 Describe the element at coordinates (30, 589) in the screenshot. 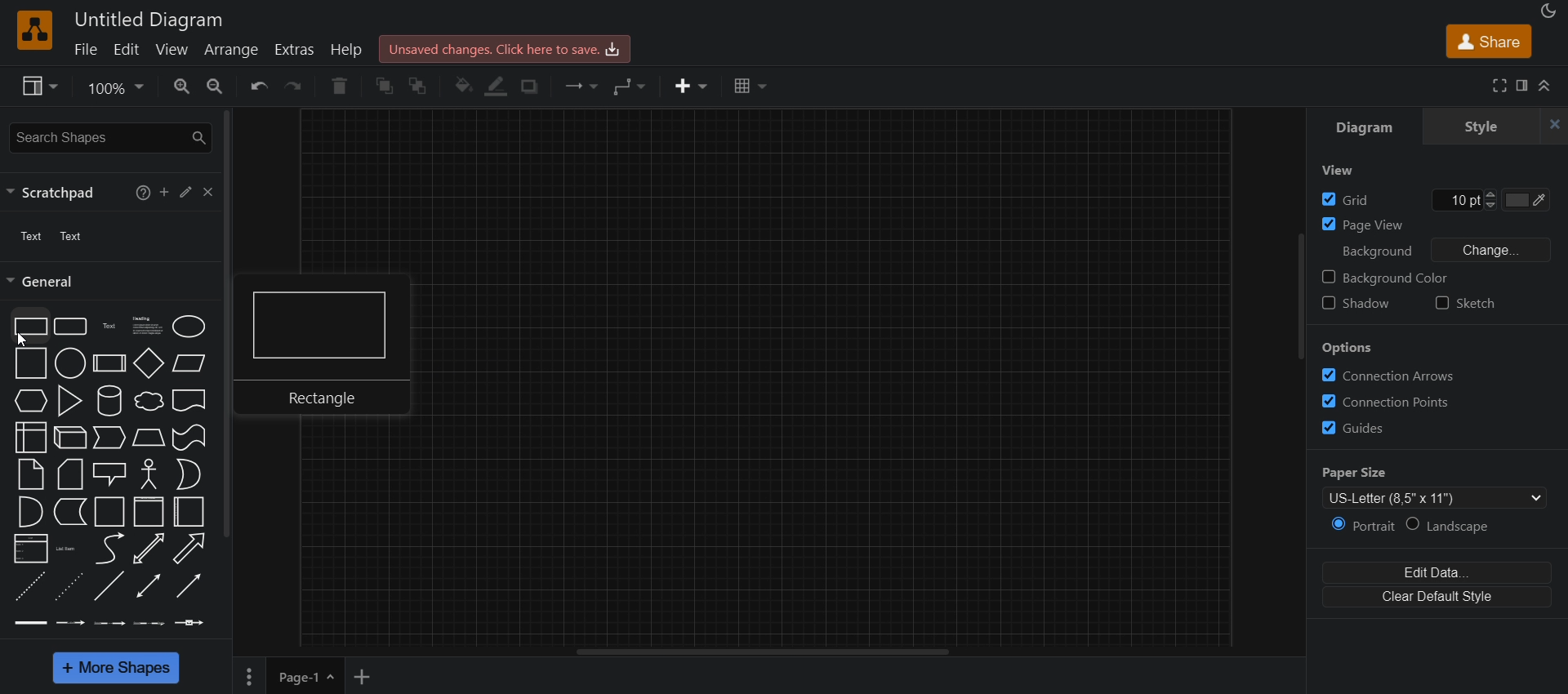

I see `dashed line` at that location.